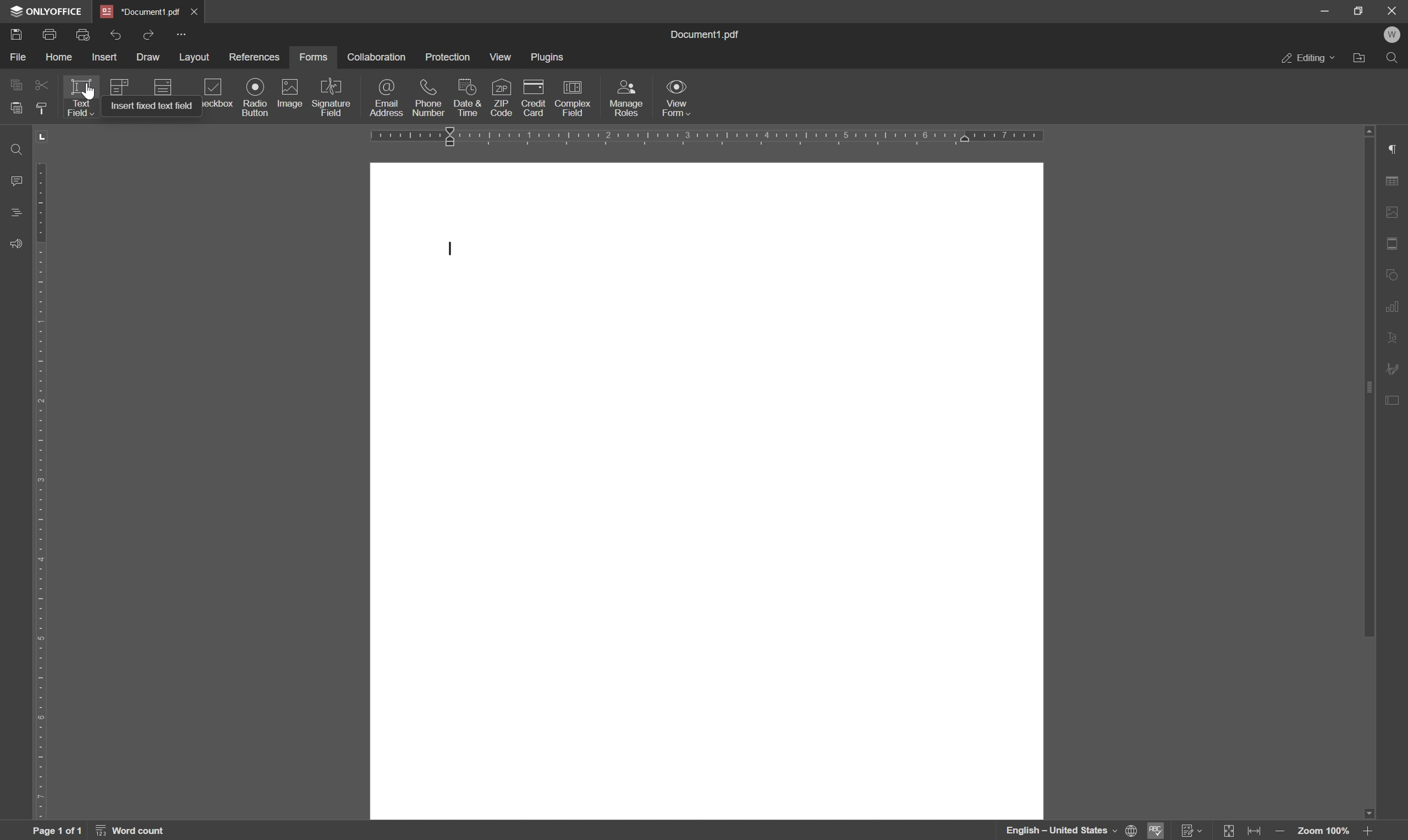 The image size is (1408, 840). What do you see at coordinates (500, 58) in the screenshot?
I see `view` at bounding box center [500, 58].